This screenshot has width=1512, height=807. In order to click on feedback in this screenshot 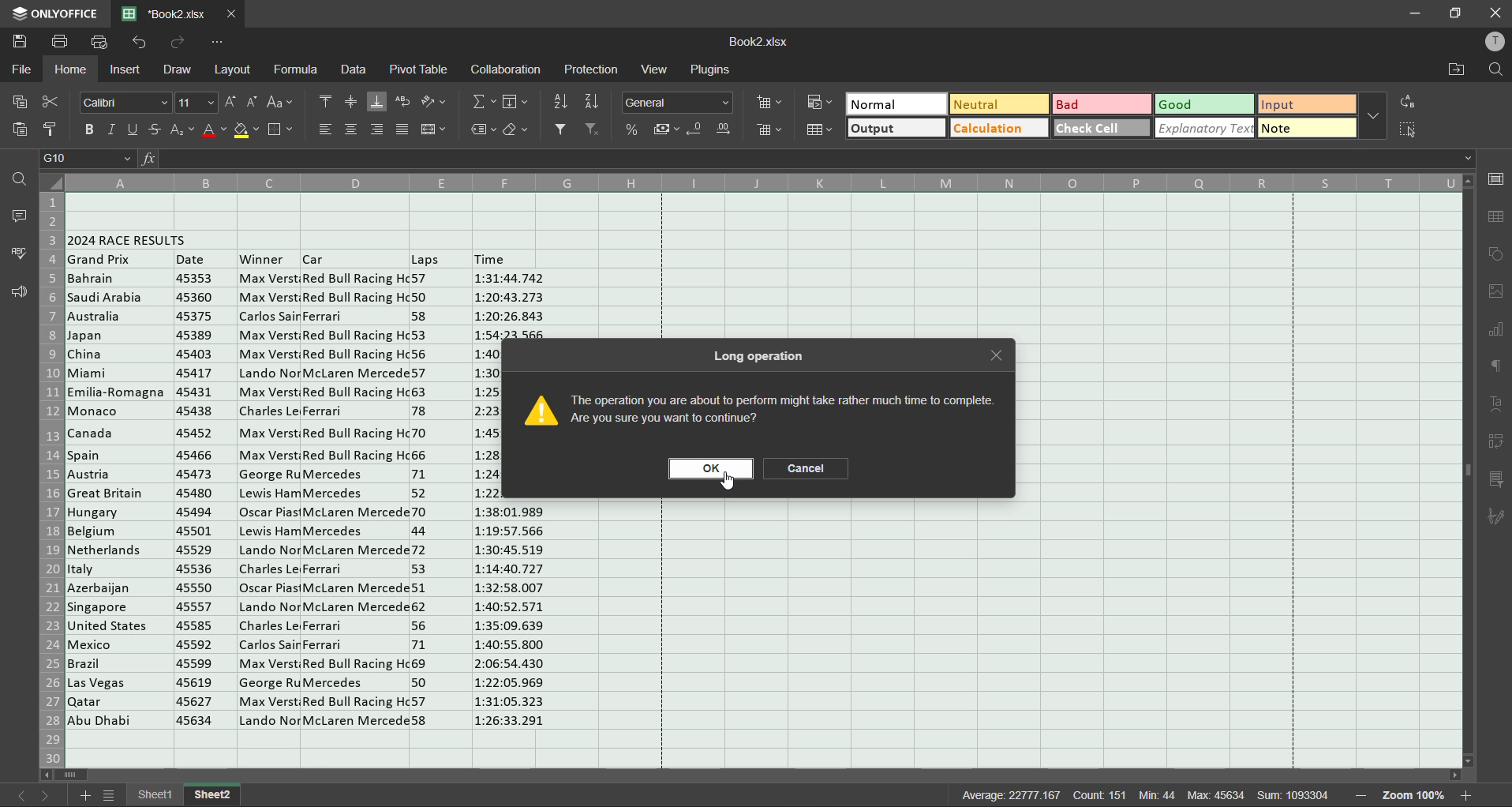, I will do `click(18, 294)`.